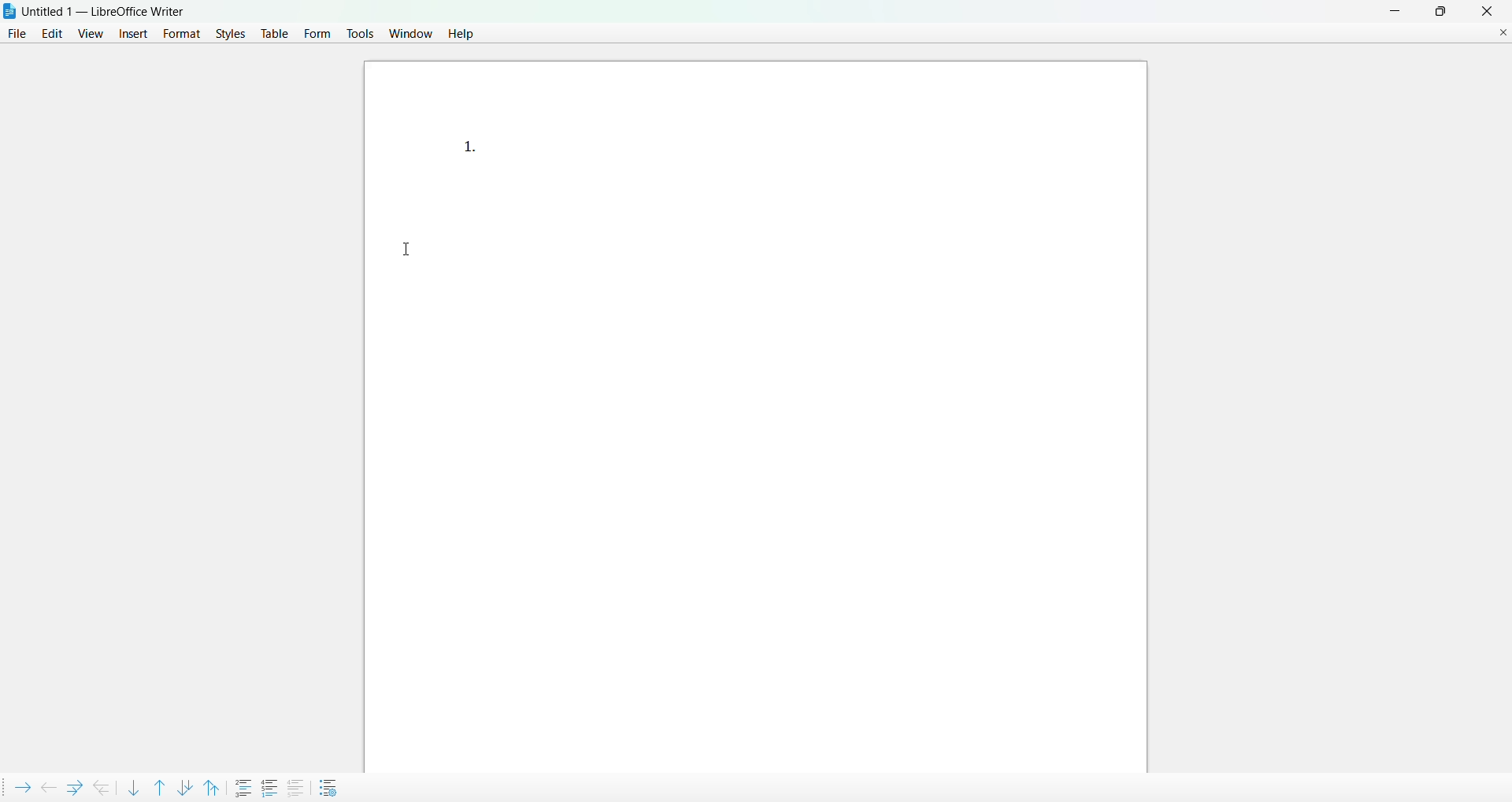 The height and width of the screenshot is (802, 1512). What do you see at coordinates (295, 787) in the screenshot?
I see `add to list` at bounding box center [295, 787].